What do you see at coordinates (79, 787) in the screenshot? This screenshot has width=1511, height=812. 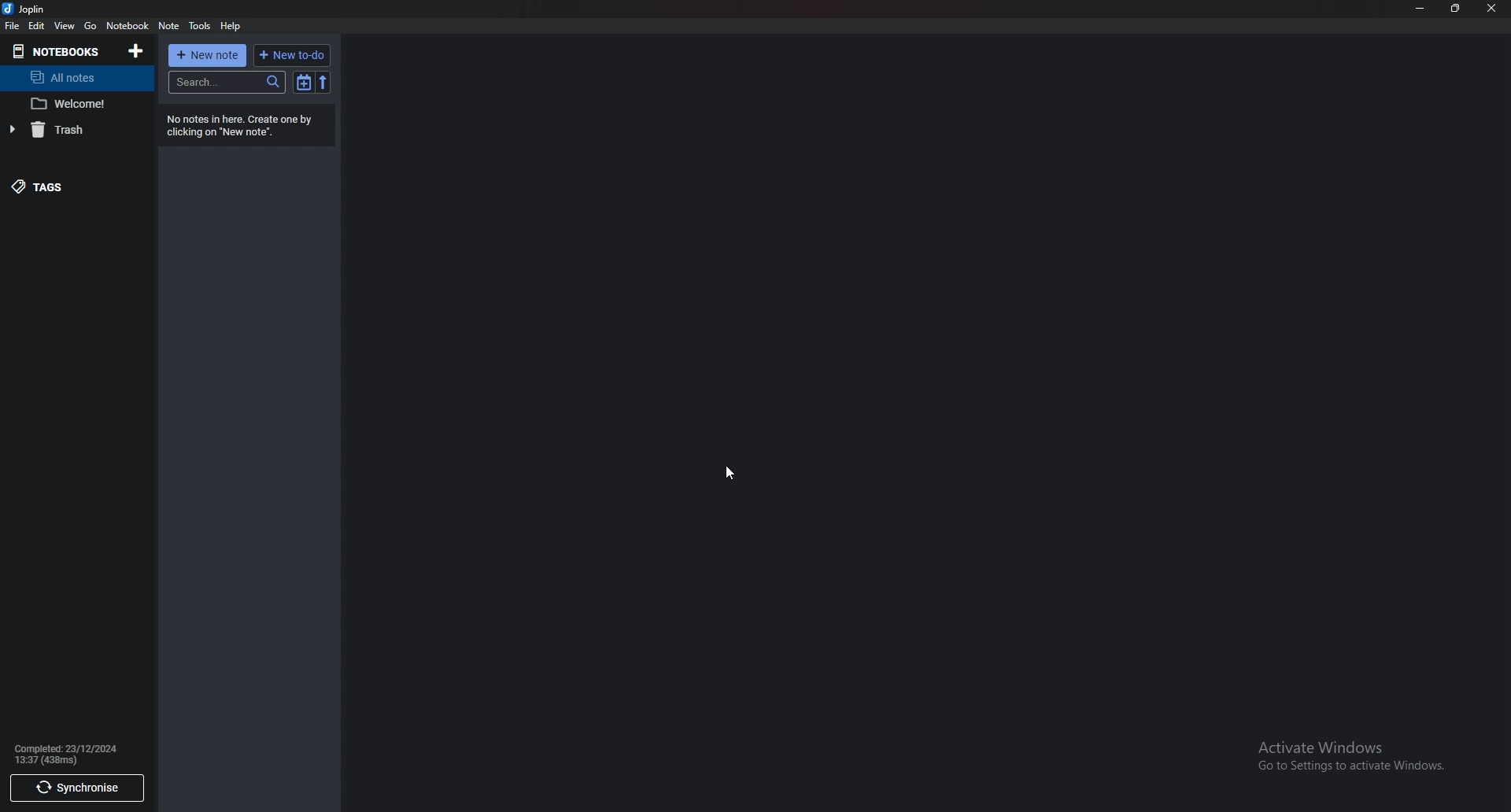 I see `Synchronize` at bounding box center [79, 787].